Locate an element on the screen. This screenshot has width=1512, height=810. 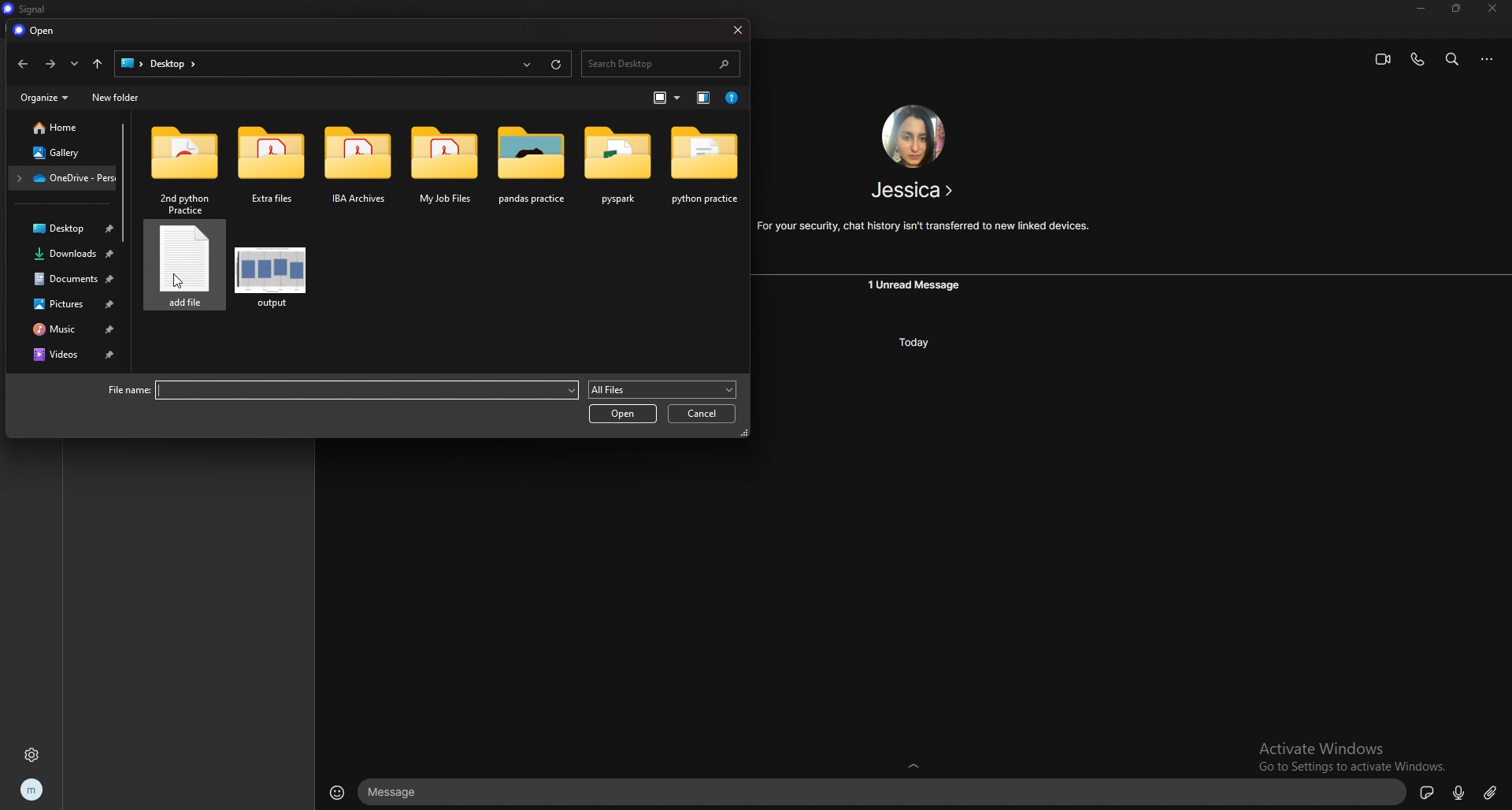
cancel is located at coordinates (702, 412).